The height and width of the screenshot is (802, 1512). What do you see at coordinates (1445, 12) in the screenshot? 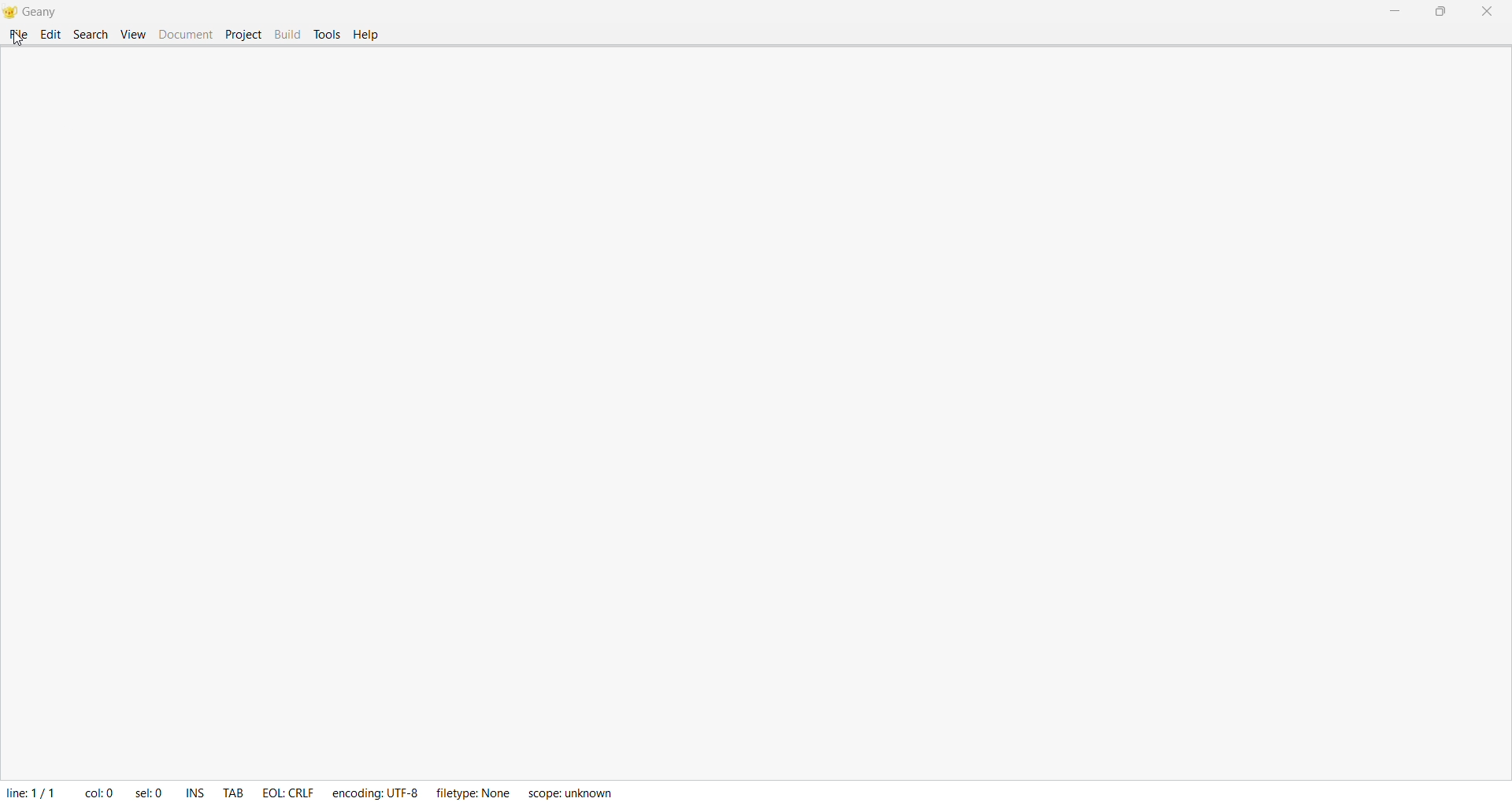
I see `Maximize` at bounding box center [1445, 12].